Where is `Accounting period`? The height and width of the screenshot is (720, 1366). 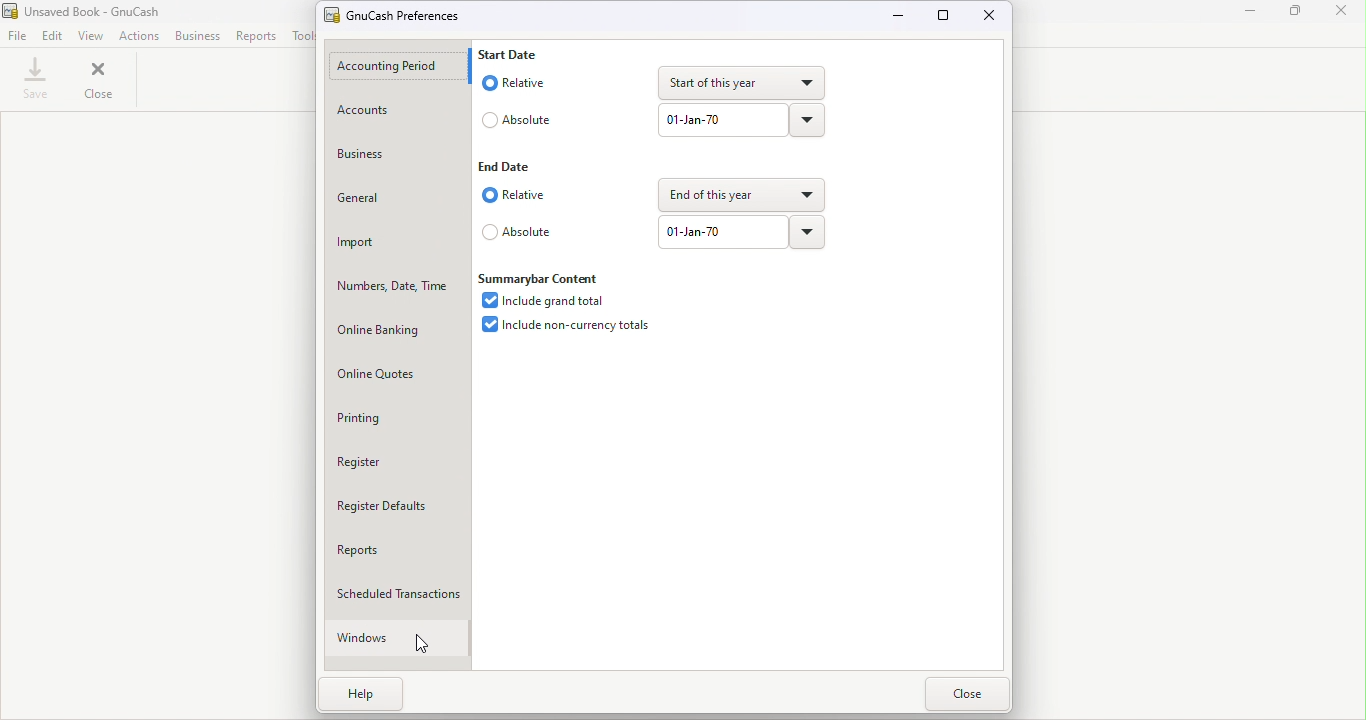 Accounting period is located at coordinates (395, 67).